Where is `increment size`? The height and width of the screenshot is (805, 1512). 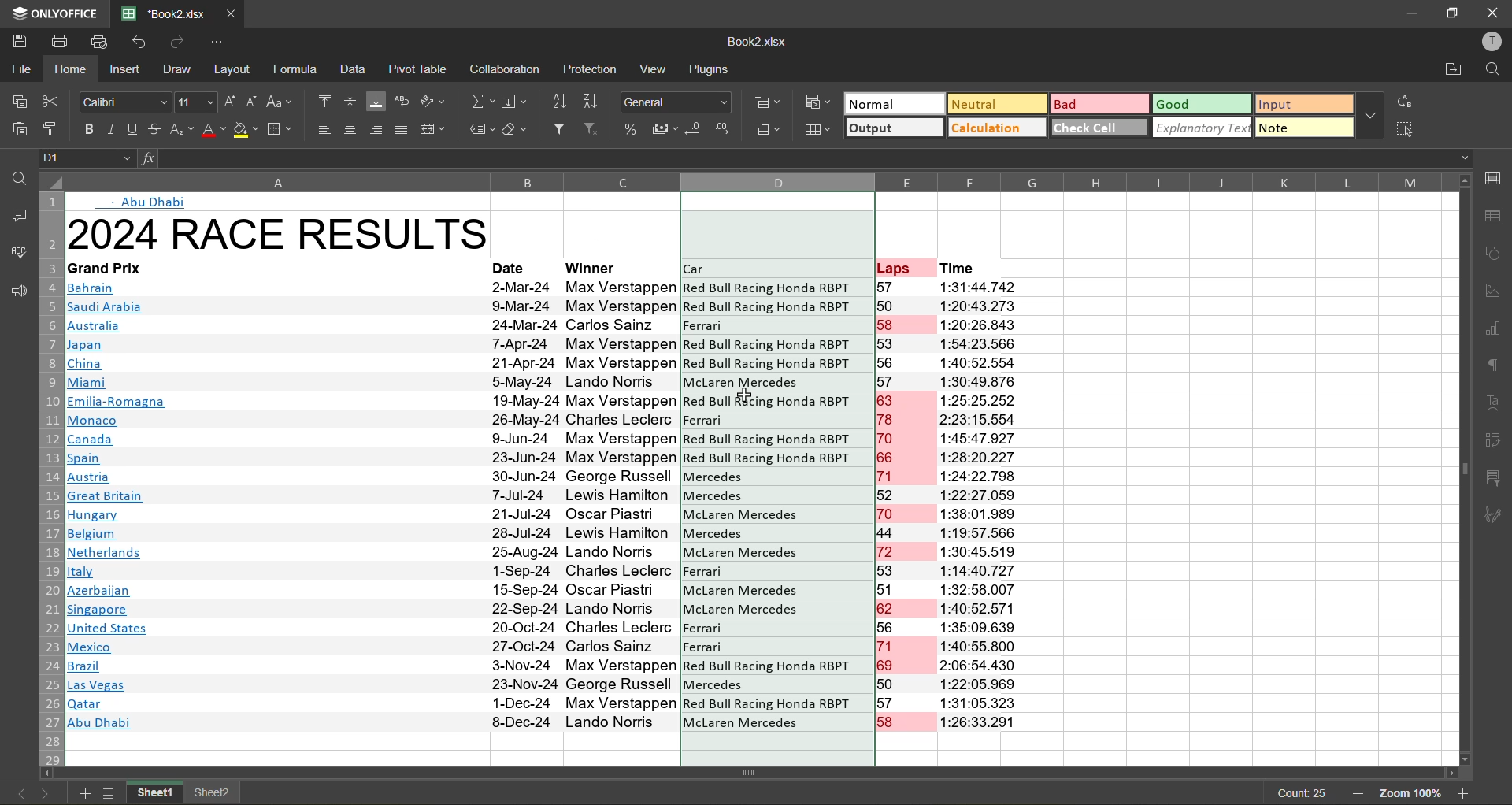
increment size is located at coordinates (230, 102).